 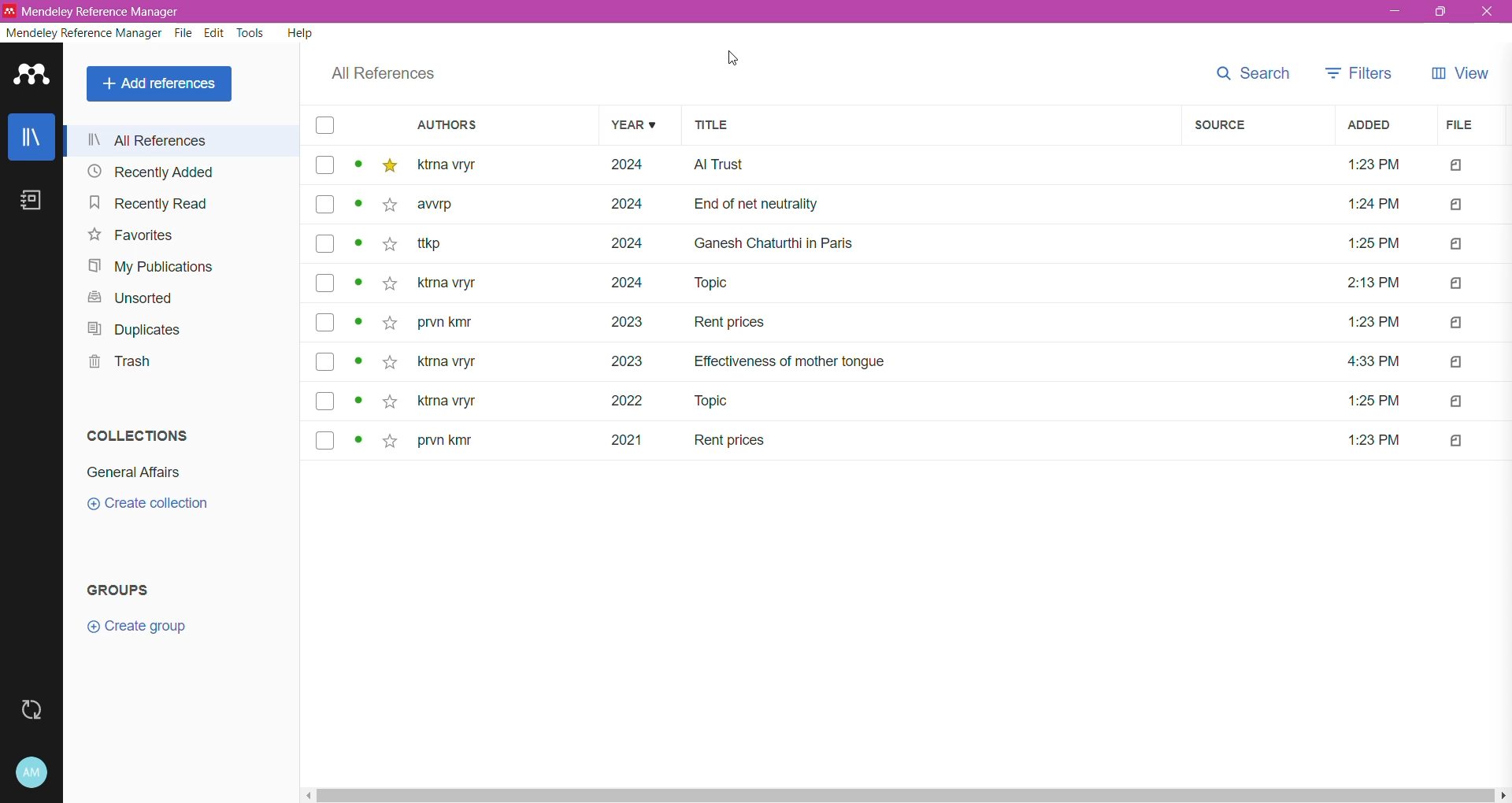 I want to click on Help, so click(x=299, y=31).